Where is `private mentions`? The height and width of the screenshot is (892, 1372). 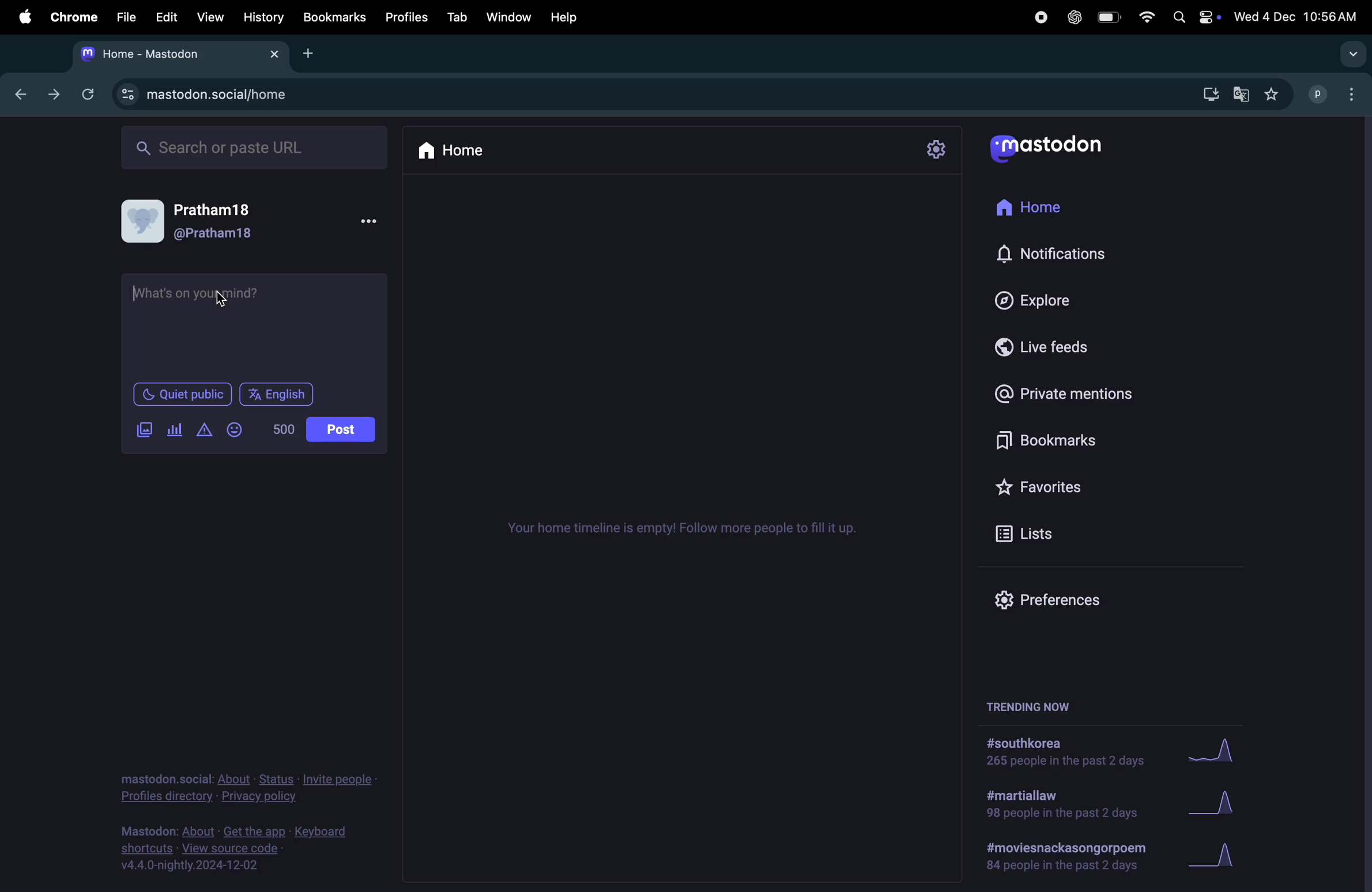
private mentions is located at coordinates (1075, 392).